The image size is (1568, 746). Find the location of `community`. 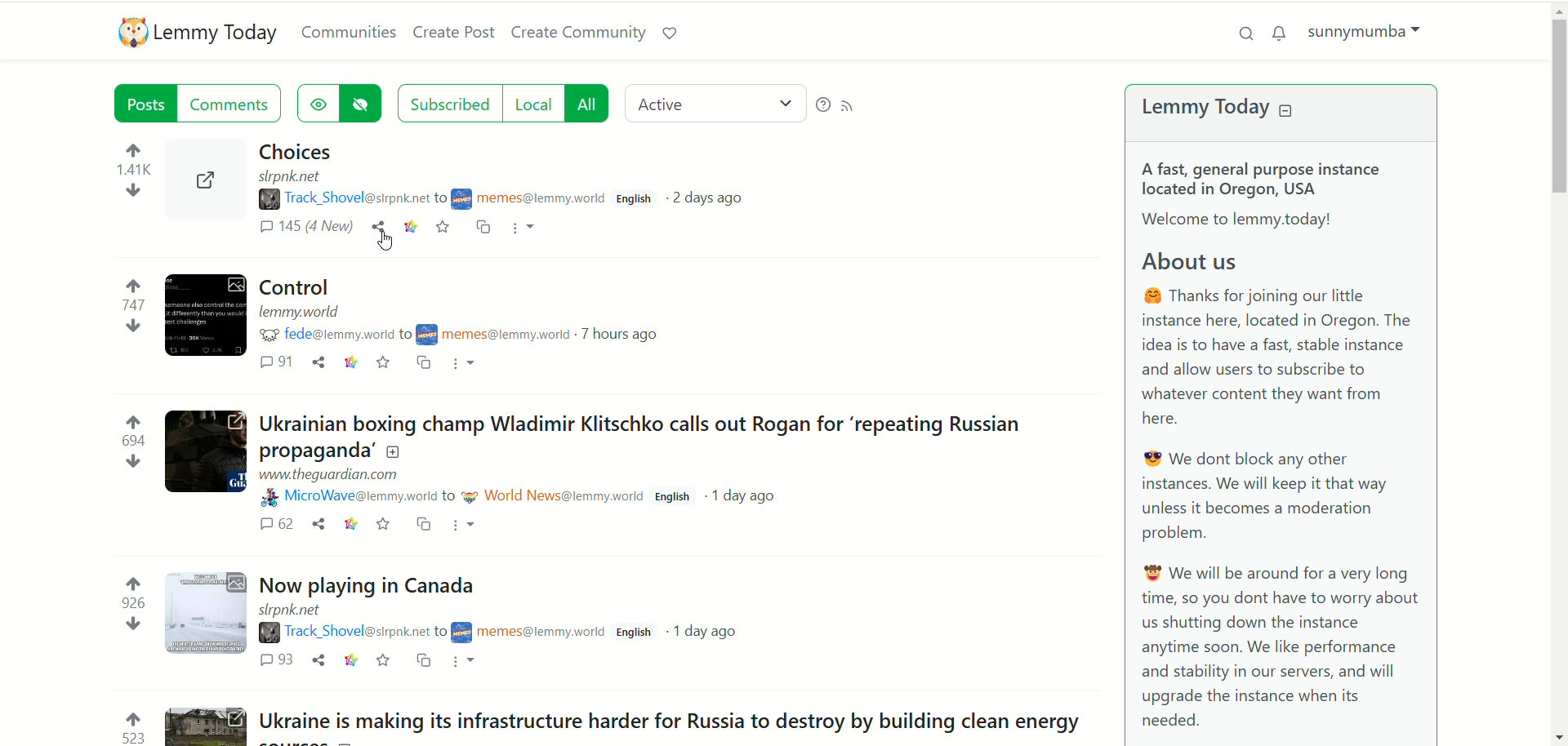

community is located at coordinates (526, 628).